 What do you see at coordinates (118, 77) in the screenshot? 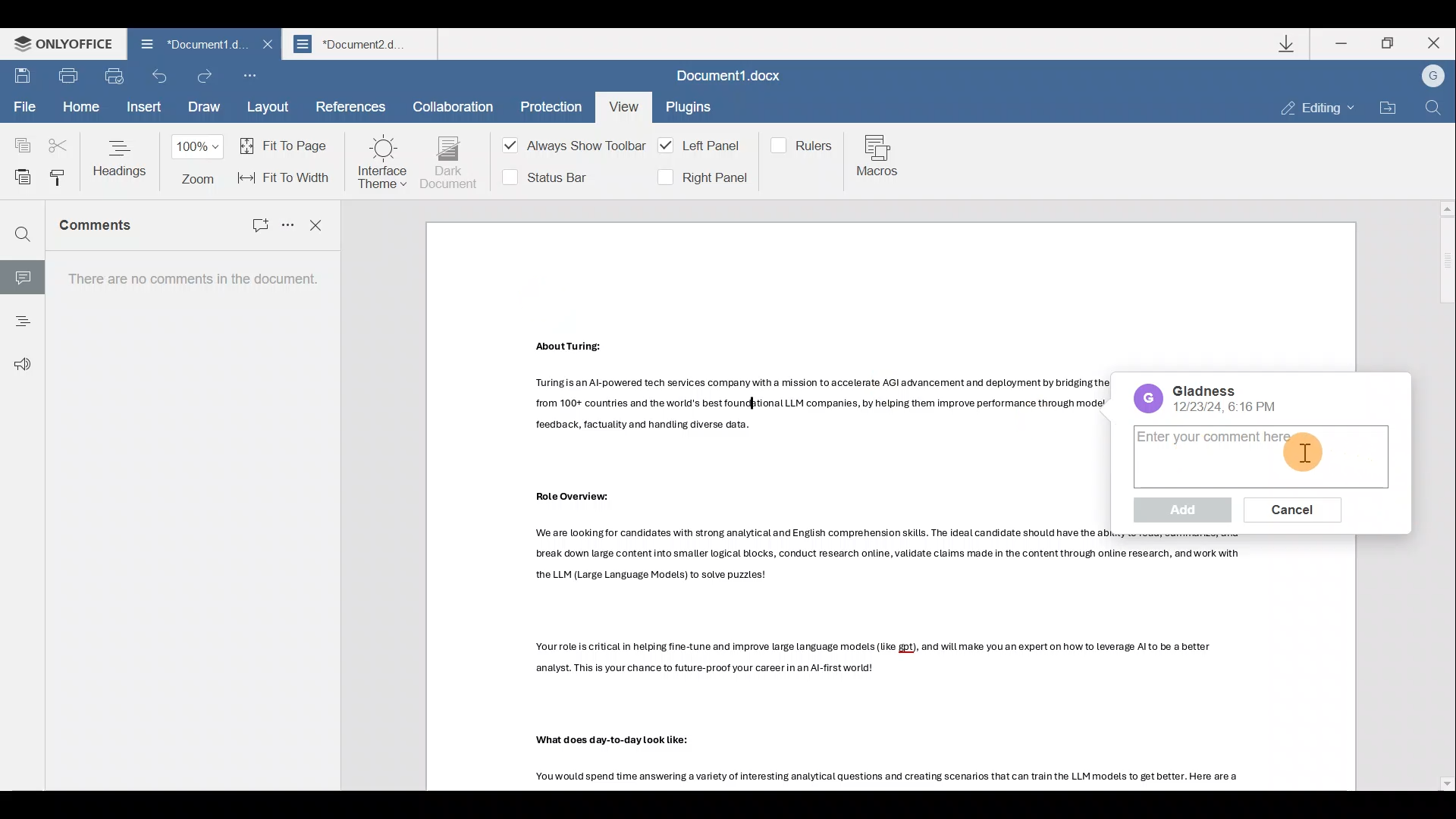
I see `Quick print` at bounding box center [118, 77].